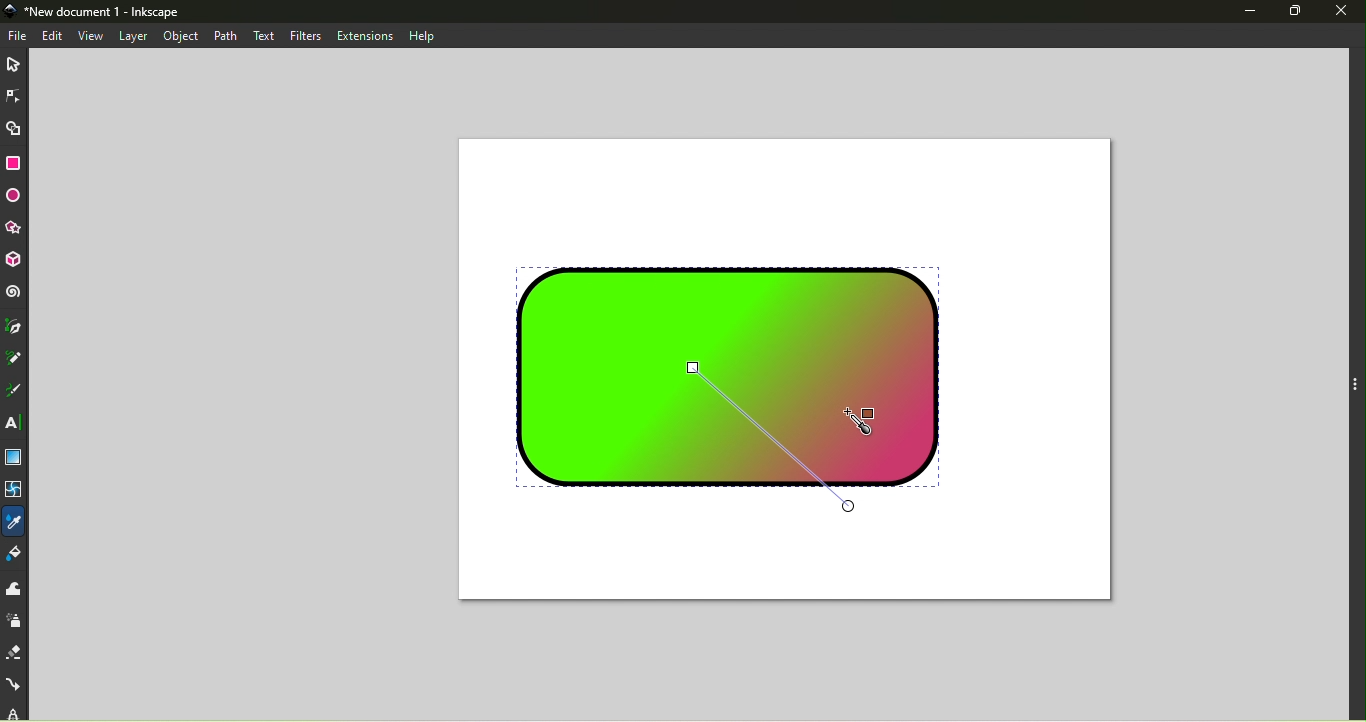 This screenshot has height=722, width=1366. Describe the element at coordinates (13, 589) in the screenshot. I see `Tweak tool` at that location.